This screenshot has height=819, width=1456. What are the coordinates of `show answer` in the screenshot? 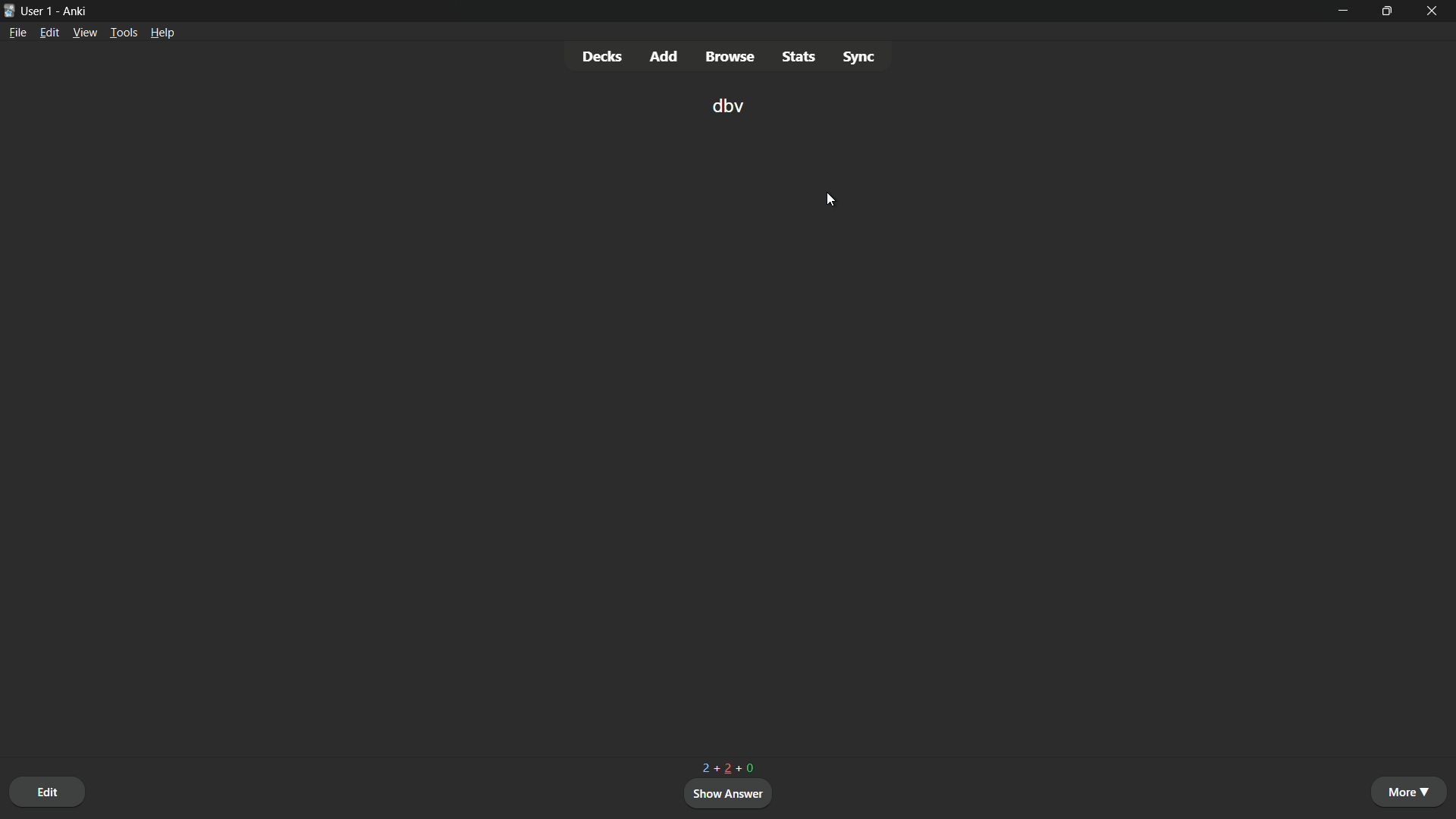 It's located at (730, 793).